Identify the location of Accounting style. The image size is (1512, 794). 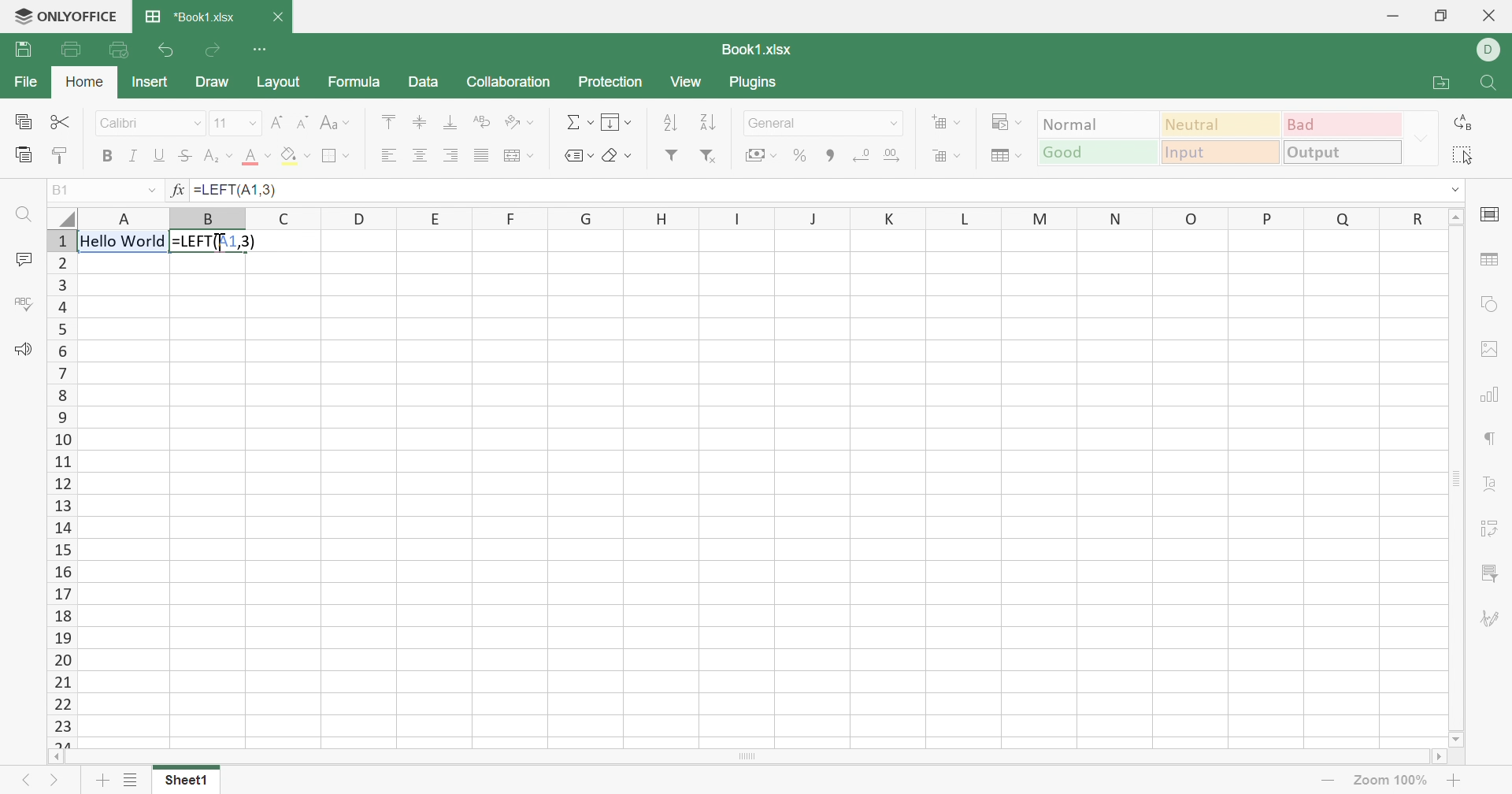
(760, 154).